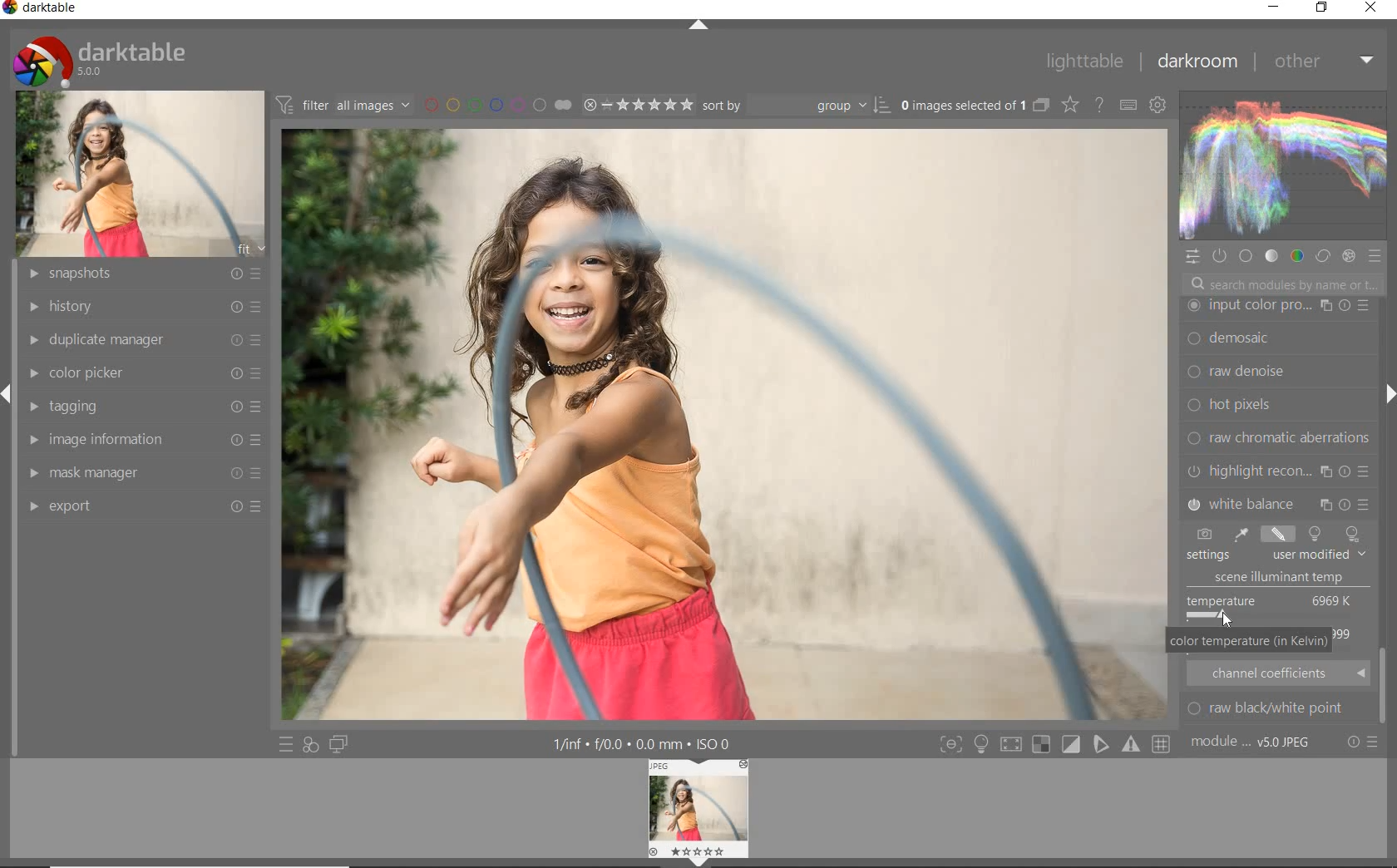 This screenshot has height=868, width=1397. What do you see at coordinates (644, 745) in the screenshot?
I see `other interface details` at bounding box center [644, 745].